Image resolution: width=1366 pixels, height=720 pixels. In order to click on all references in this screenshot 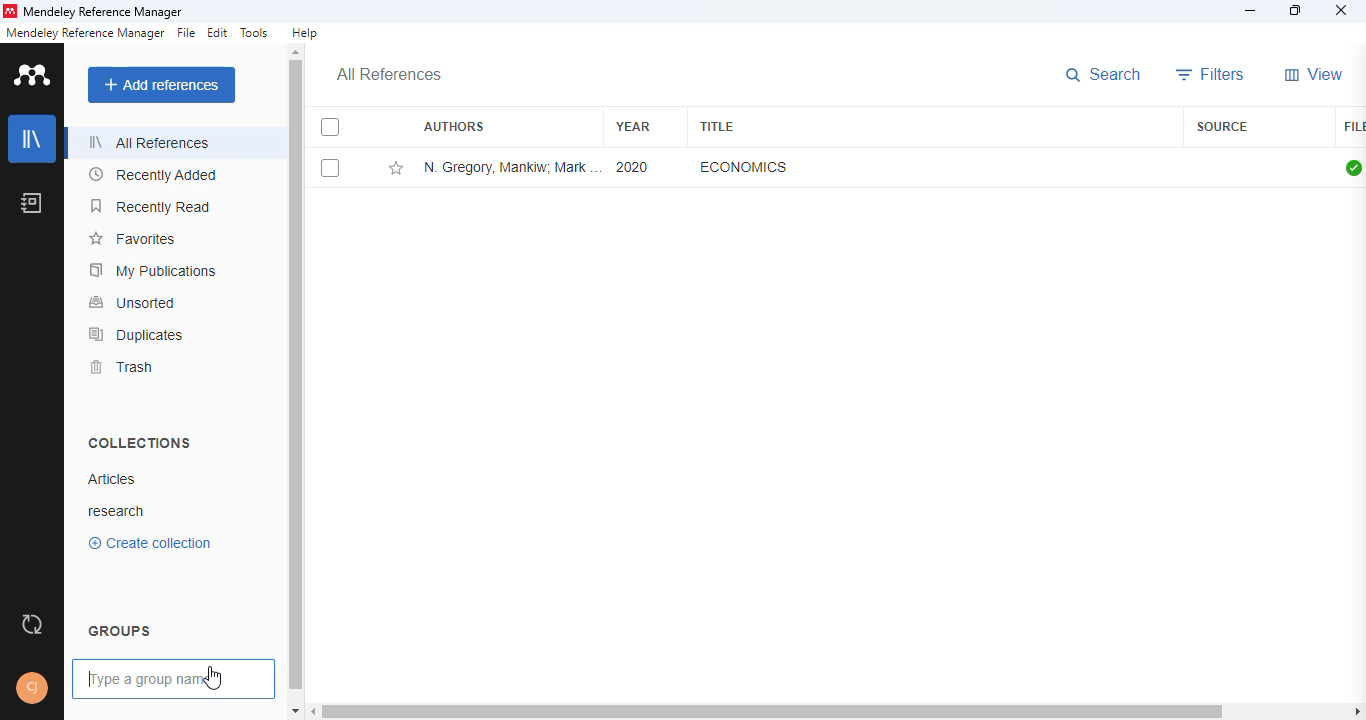, I will do `click(149, 142)`.